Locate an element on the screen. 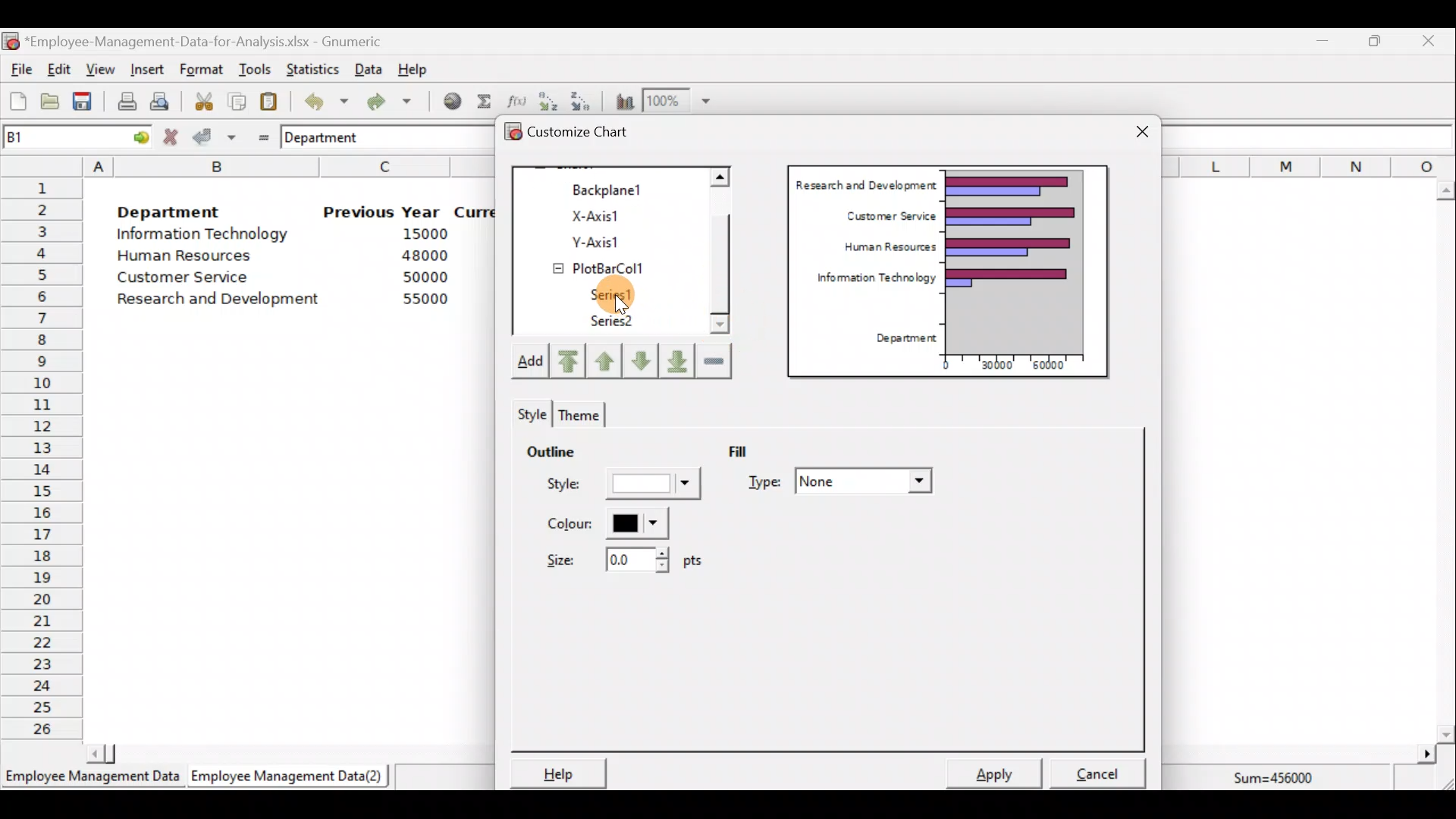 Image resolution: width=1456 pixels, height=819 pixels. Backplane1 is located at coordinates (613, 188).